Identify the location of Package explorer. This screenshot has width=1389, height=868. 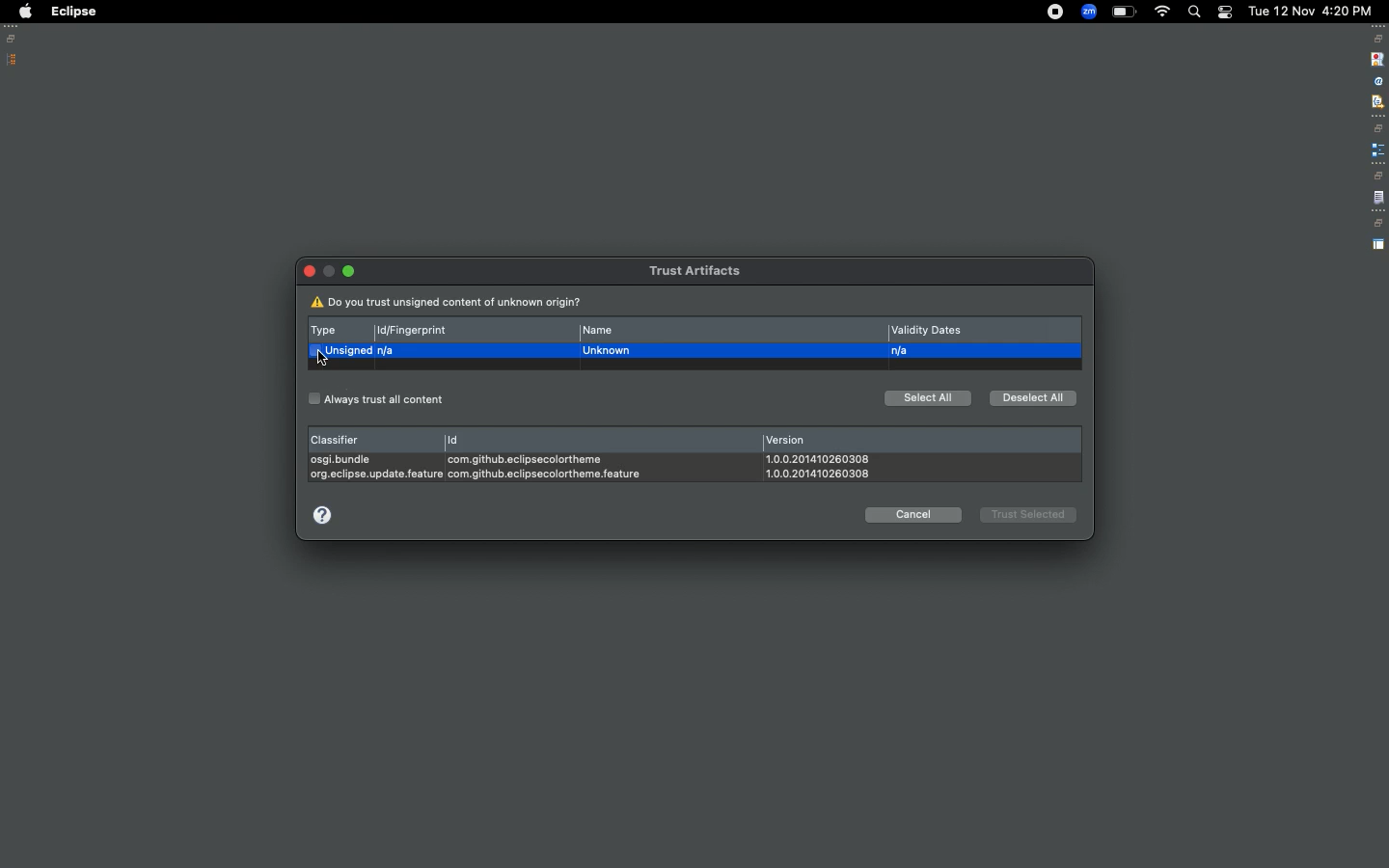
(13, 60).